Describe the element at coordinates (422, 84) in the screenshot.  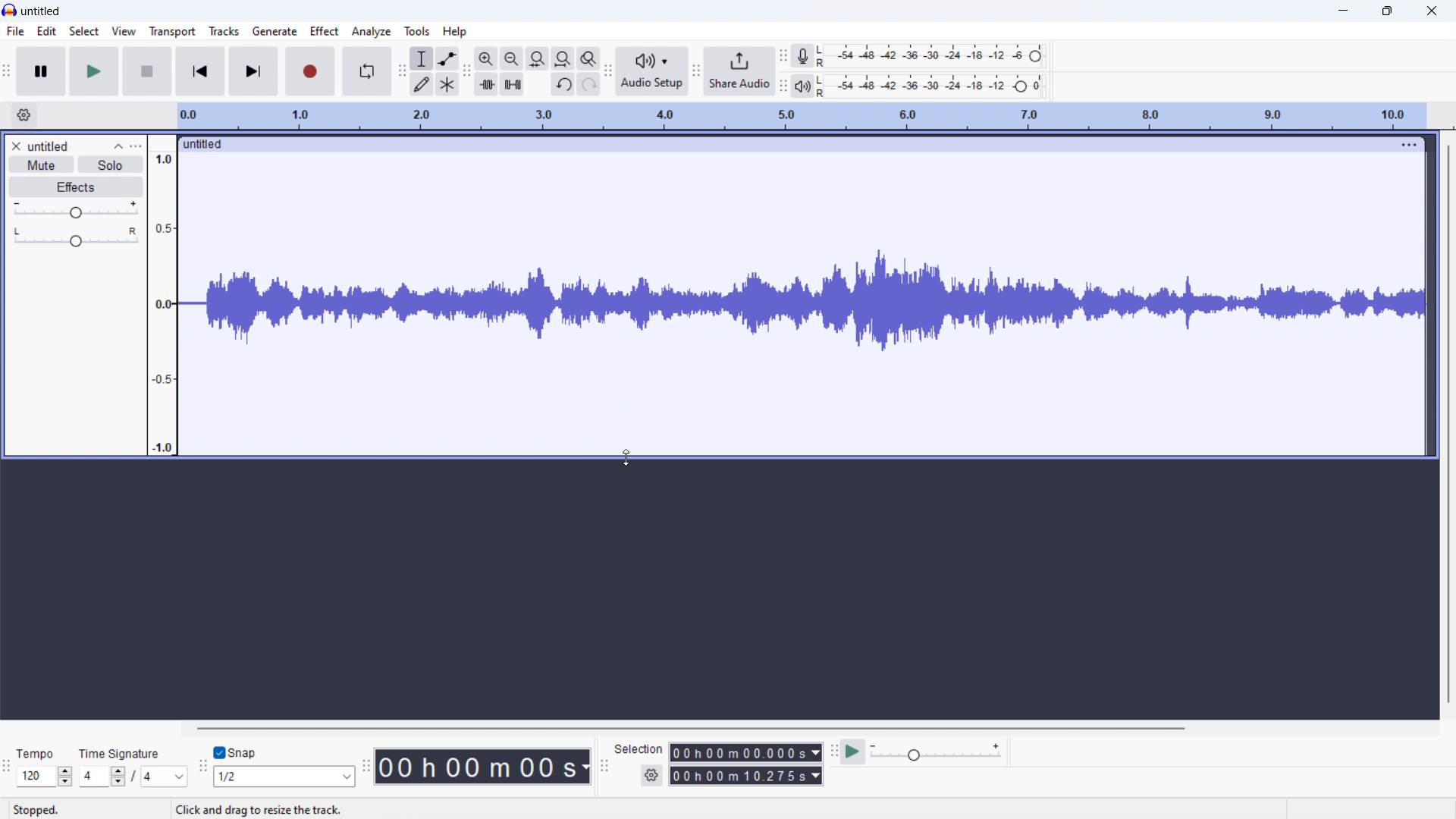
I see `draw tool` at that location.